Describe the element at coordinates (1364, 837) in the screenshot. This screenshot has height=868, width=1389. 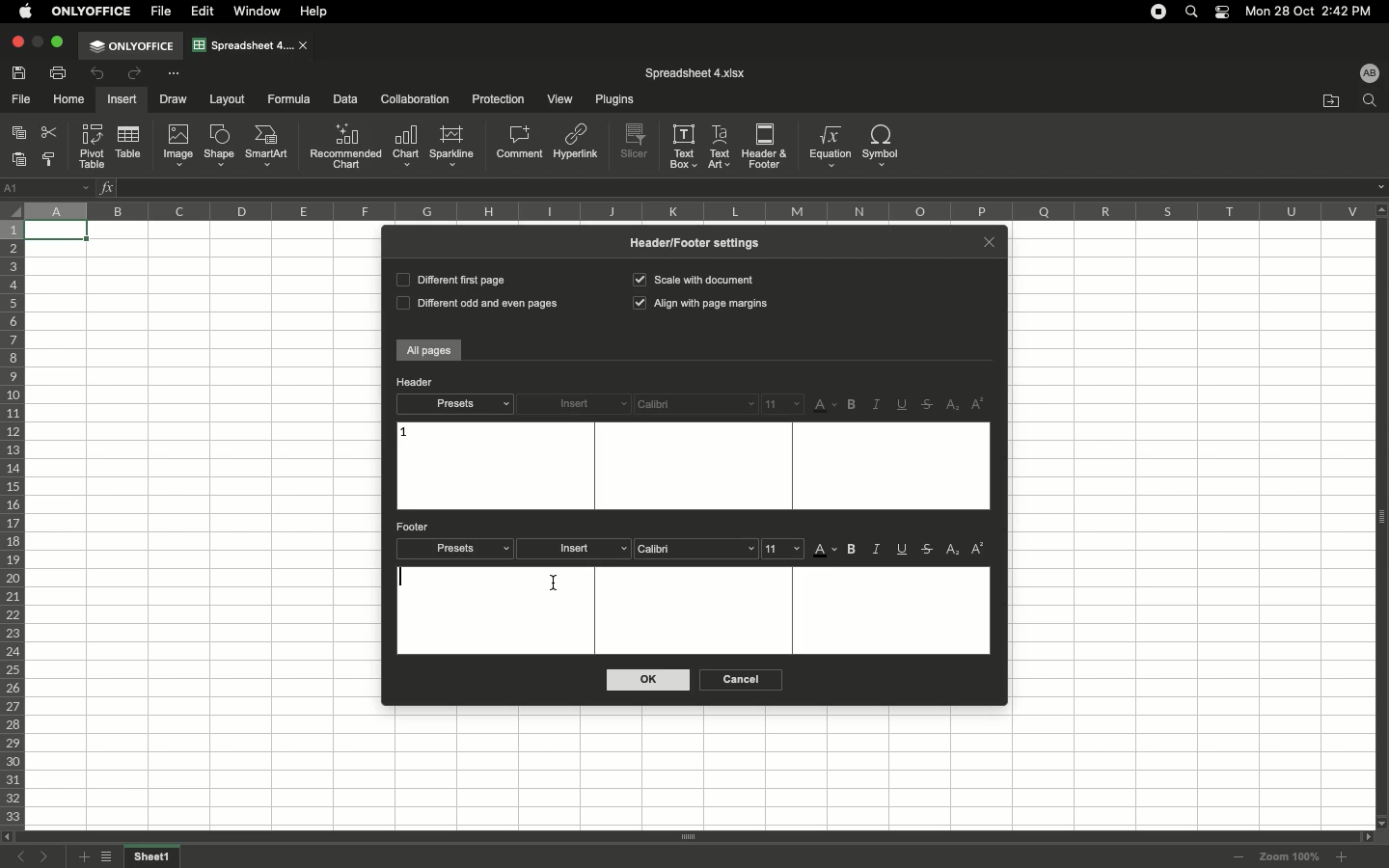
I see `scroll right` at that location.